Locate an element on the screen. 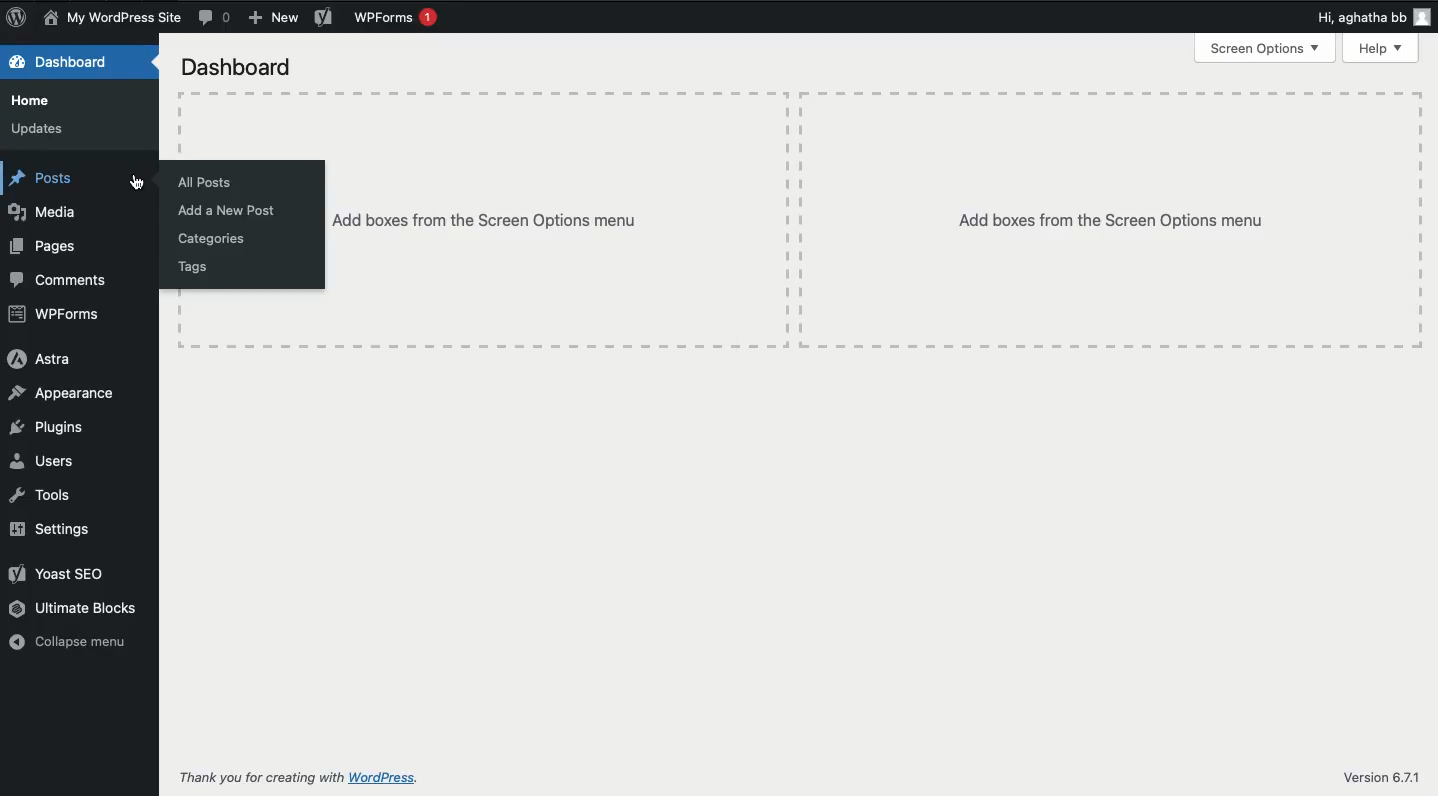  Name is located at coordinates (112, 18).